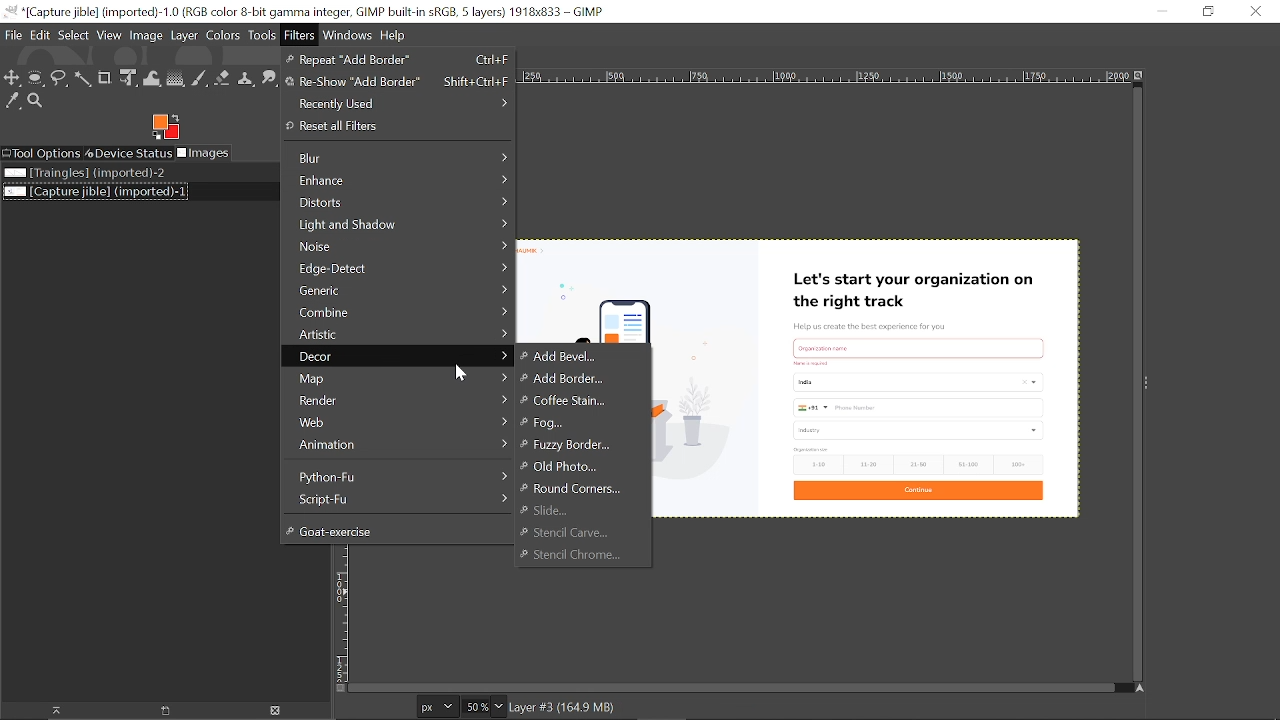  Describe the element at coordinates (344, 620) in the screenshot. I see `Vertical label` at that location.